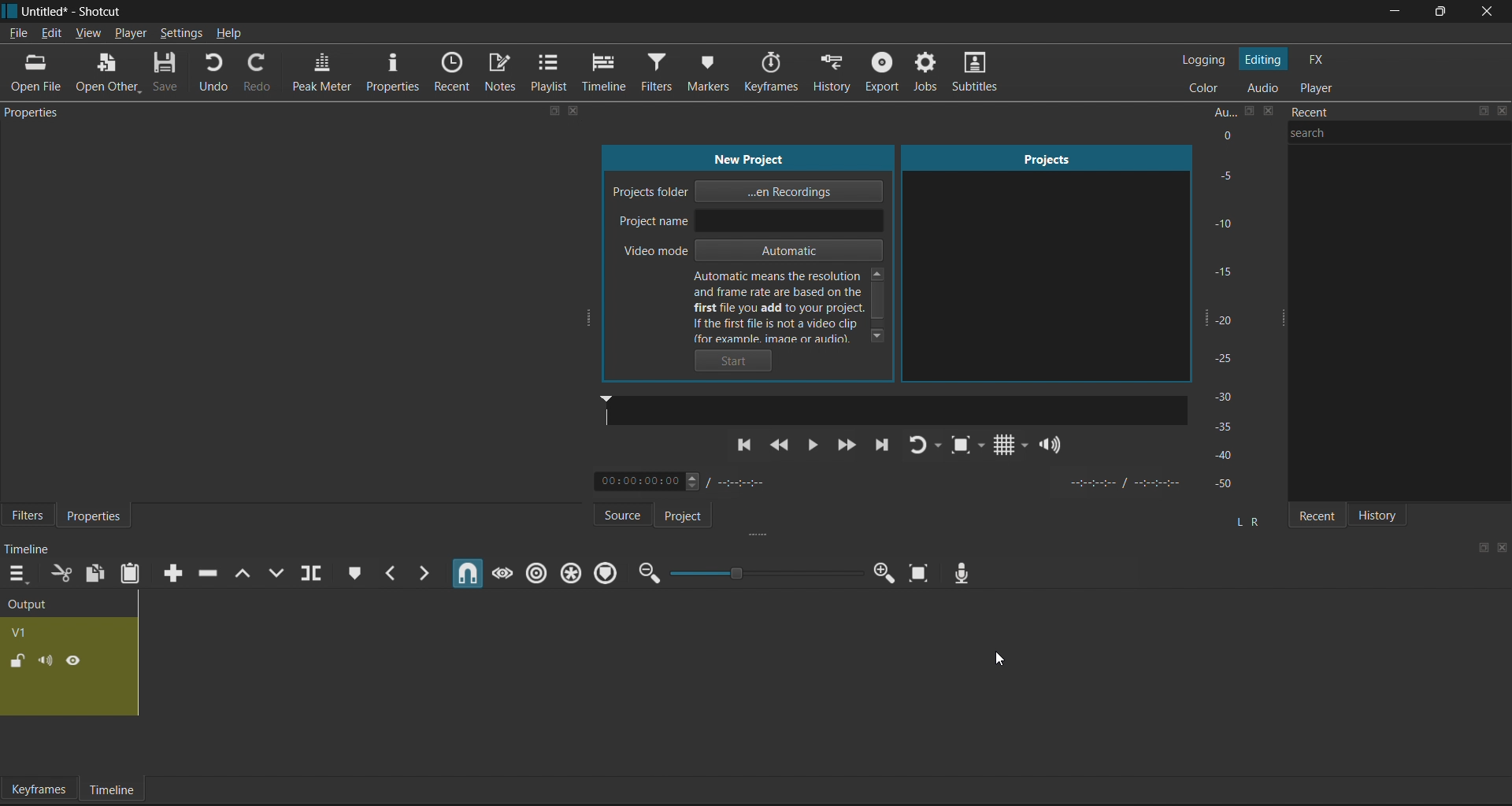 This screenshot has width=1512, height=806. Describe the element at coordinates (30, 549) in the screenshot. I see `timeline` at that location.